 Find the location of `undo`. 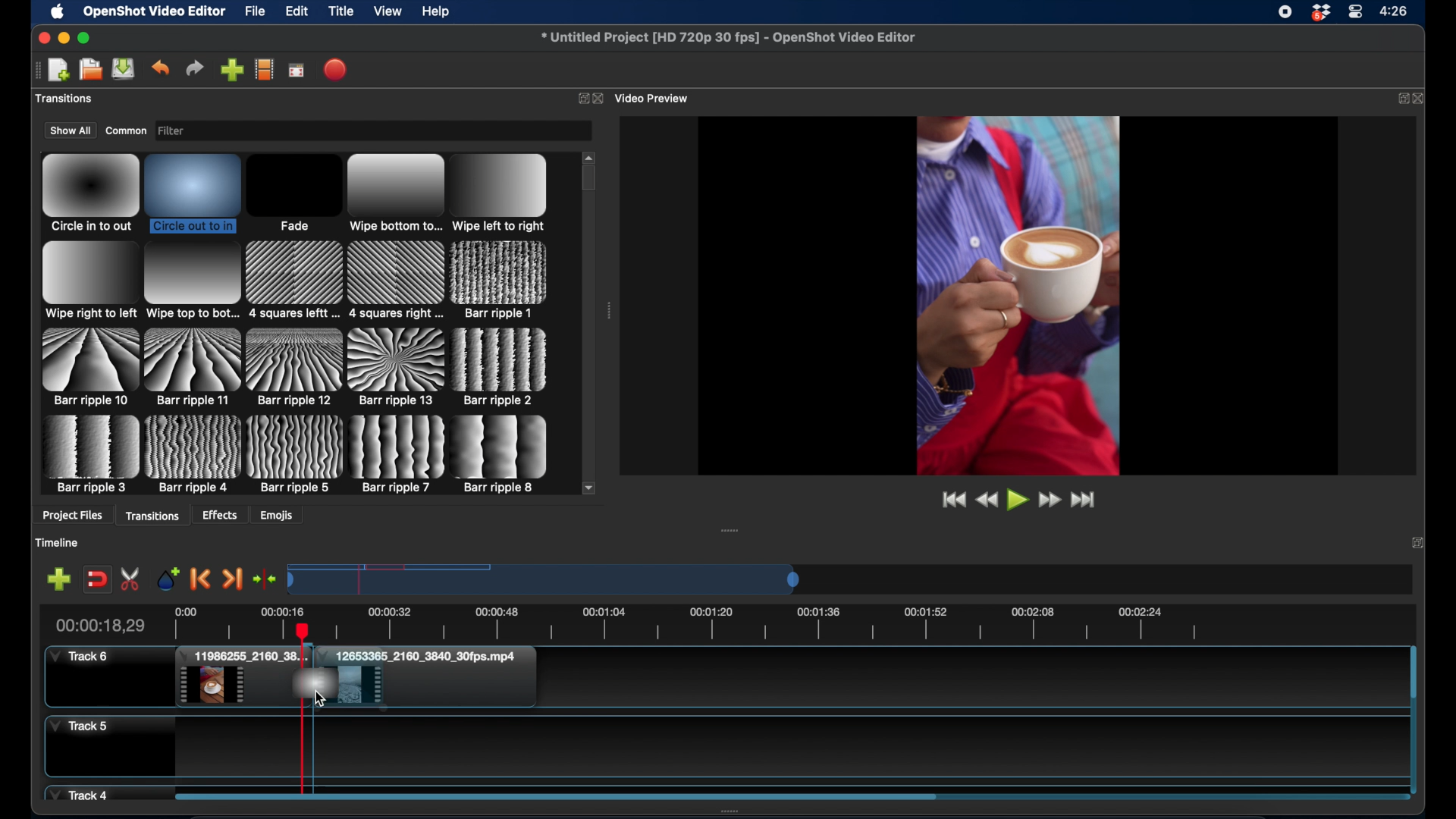

undo is located at coordinates (162, 67).